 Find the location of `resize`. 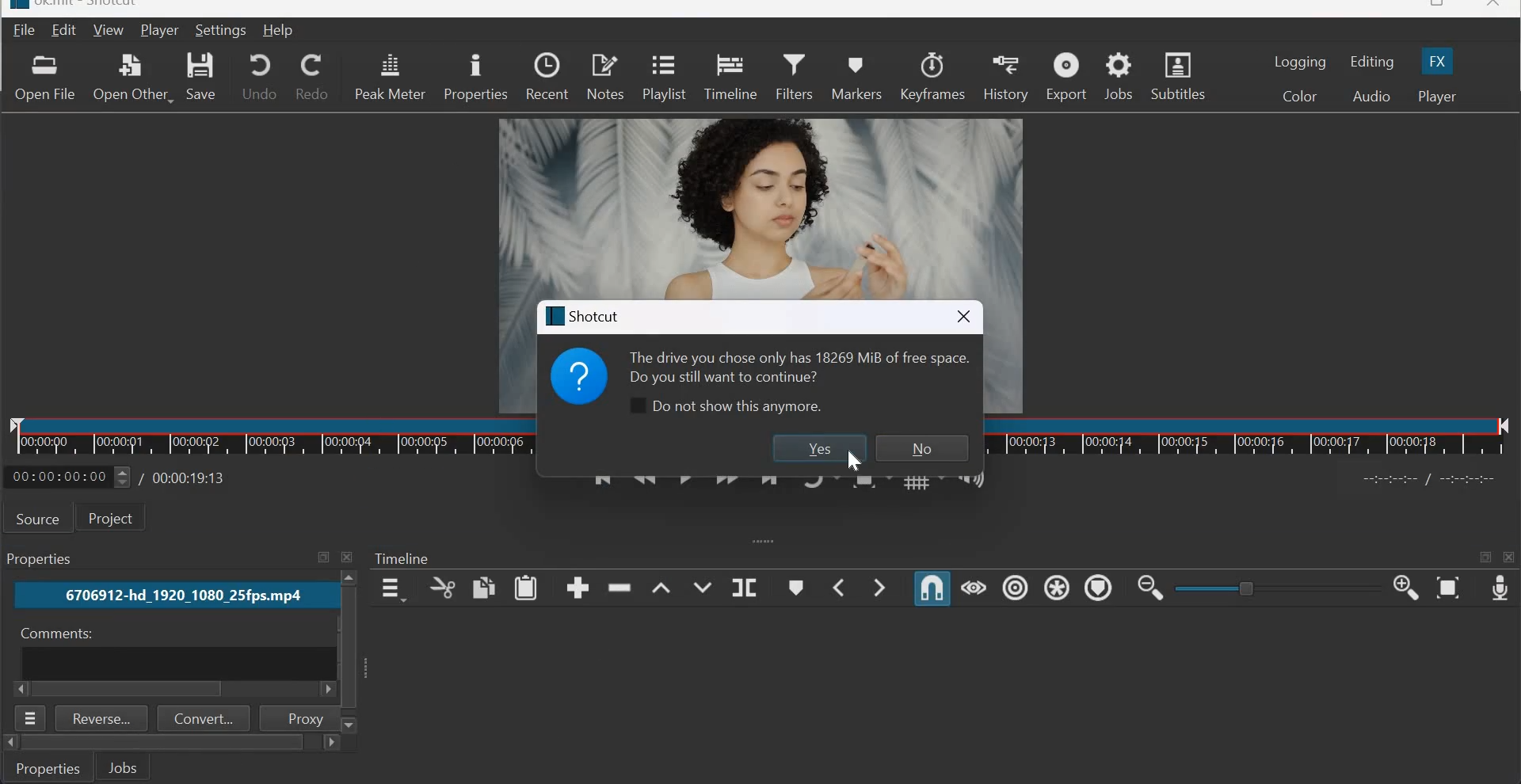

resize is located at coordinates (1434, 6).